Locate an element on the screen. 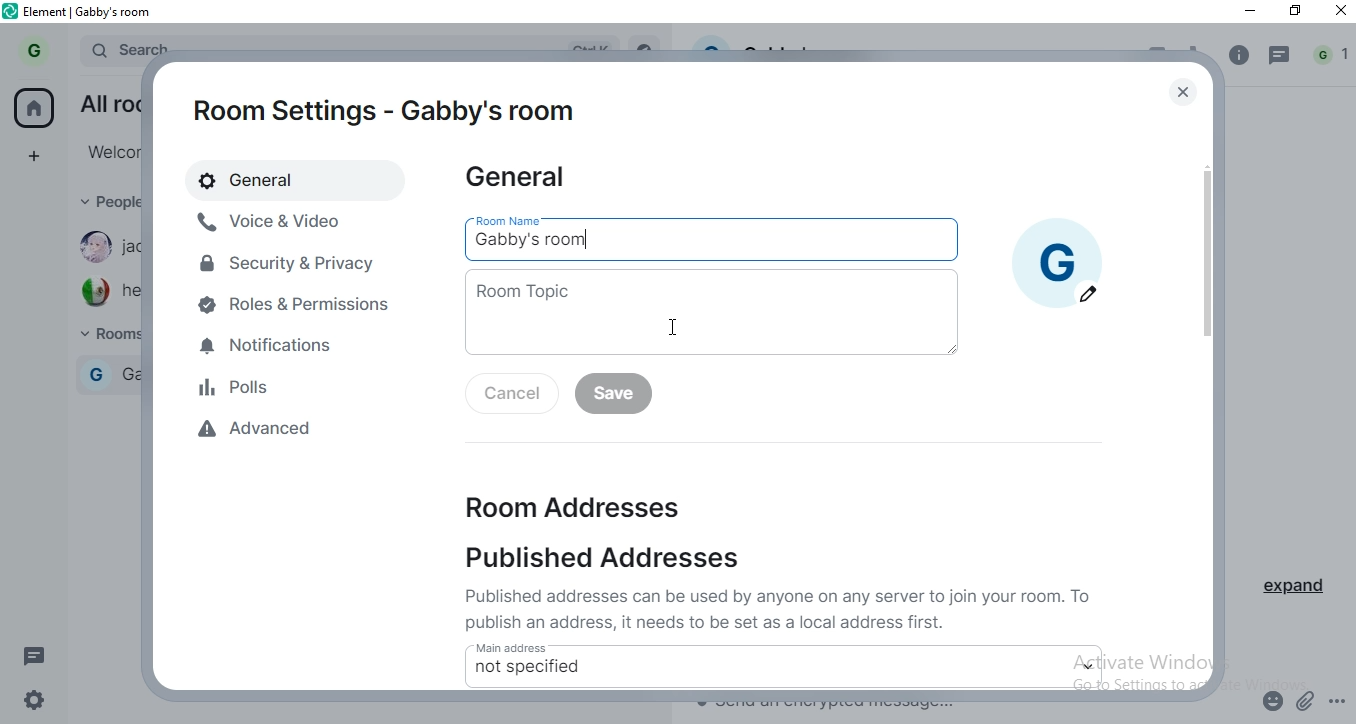  settings is located at coordinates (41, 698).